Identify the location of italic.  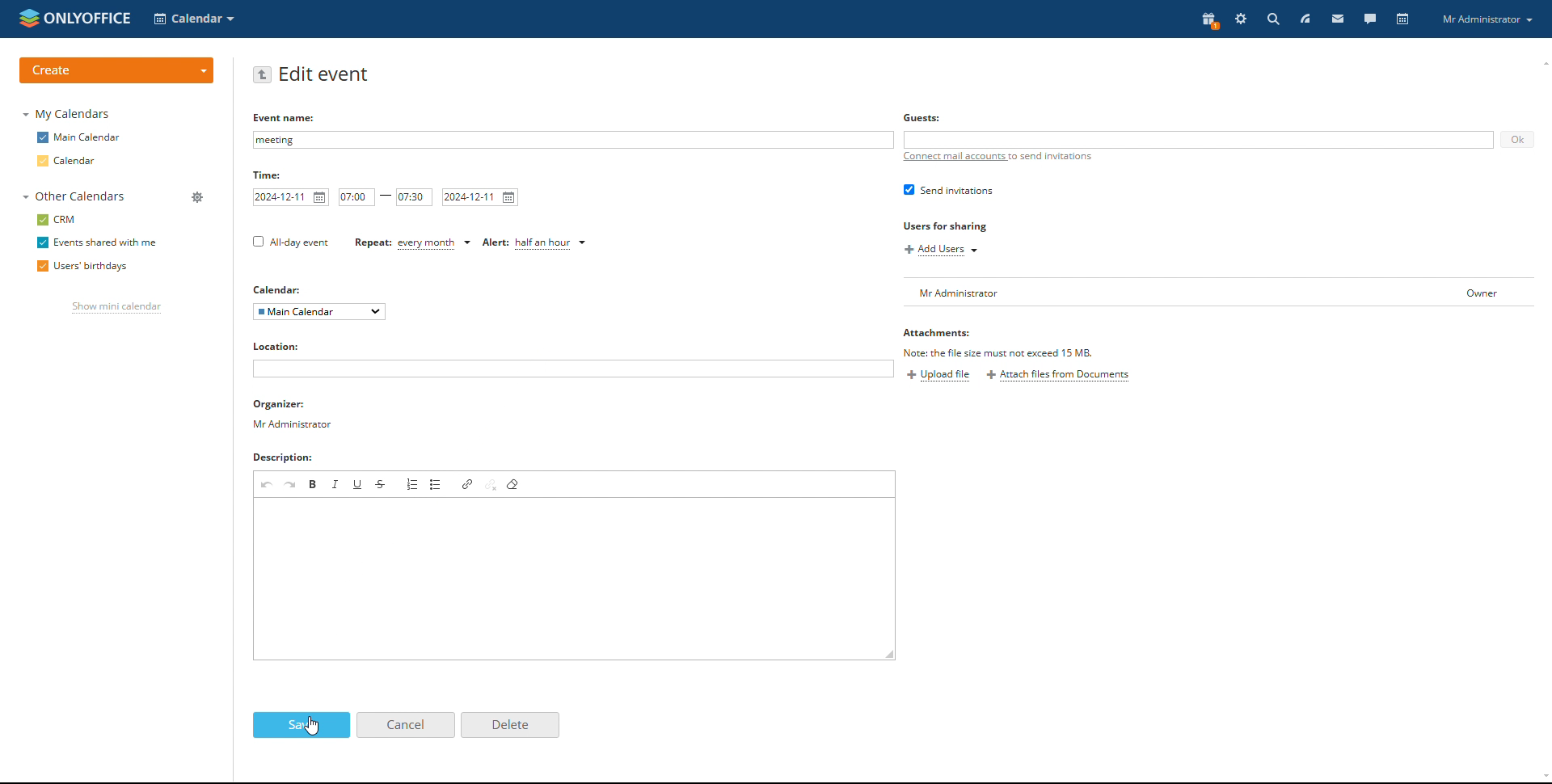
(336, 484).